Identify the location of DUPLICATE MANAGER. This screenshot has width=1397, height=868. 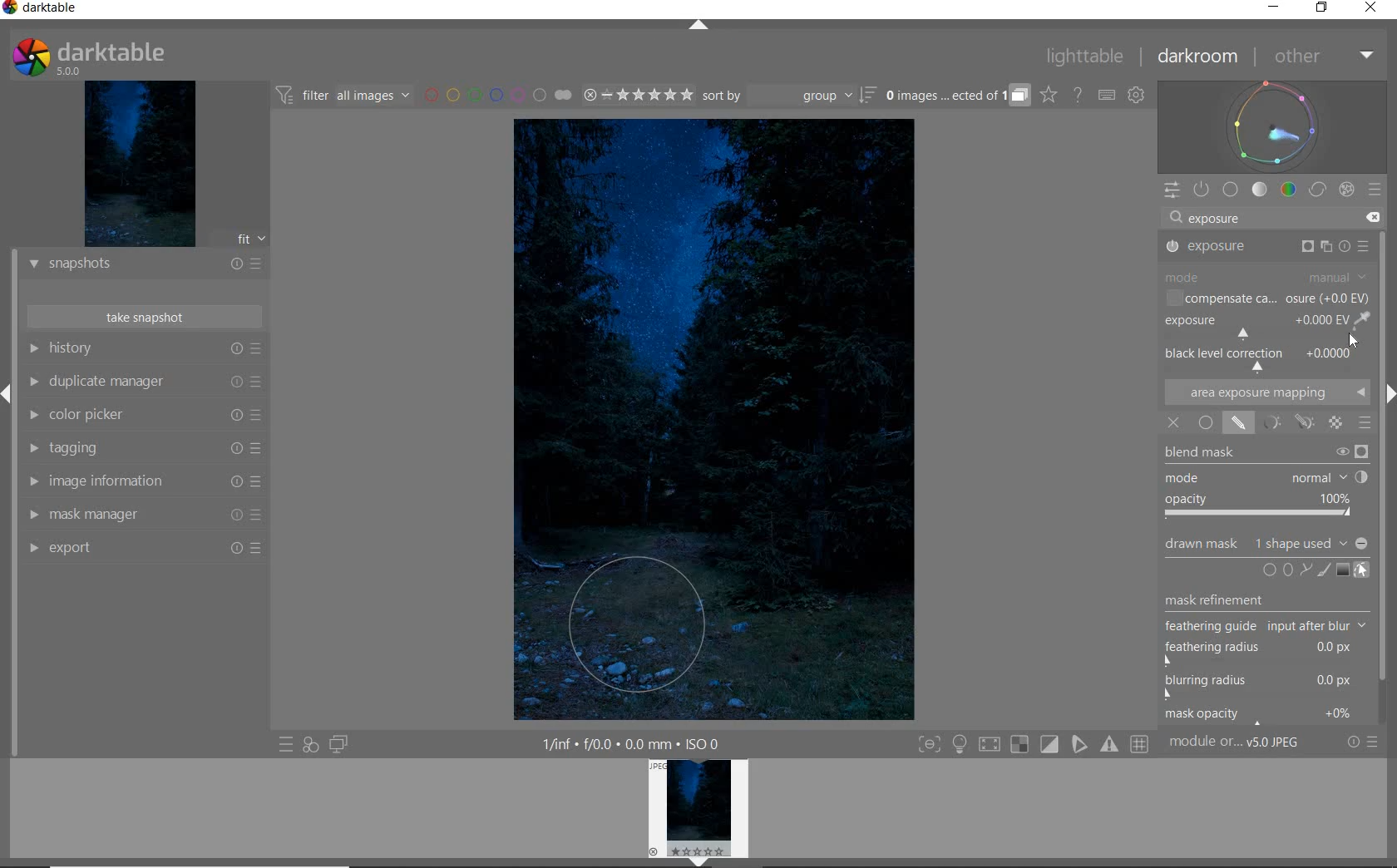
(143, 382).